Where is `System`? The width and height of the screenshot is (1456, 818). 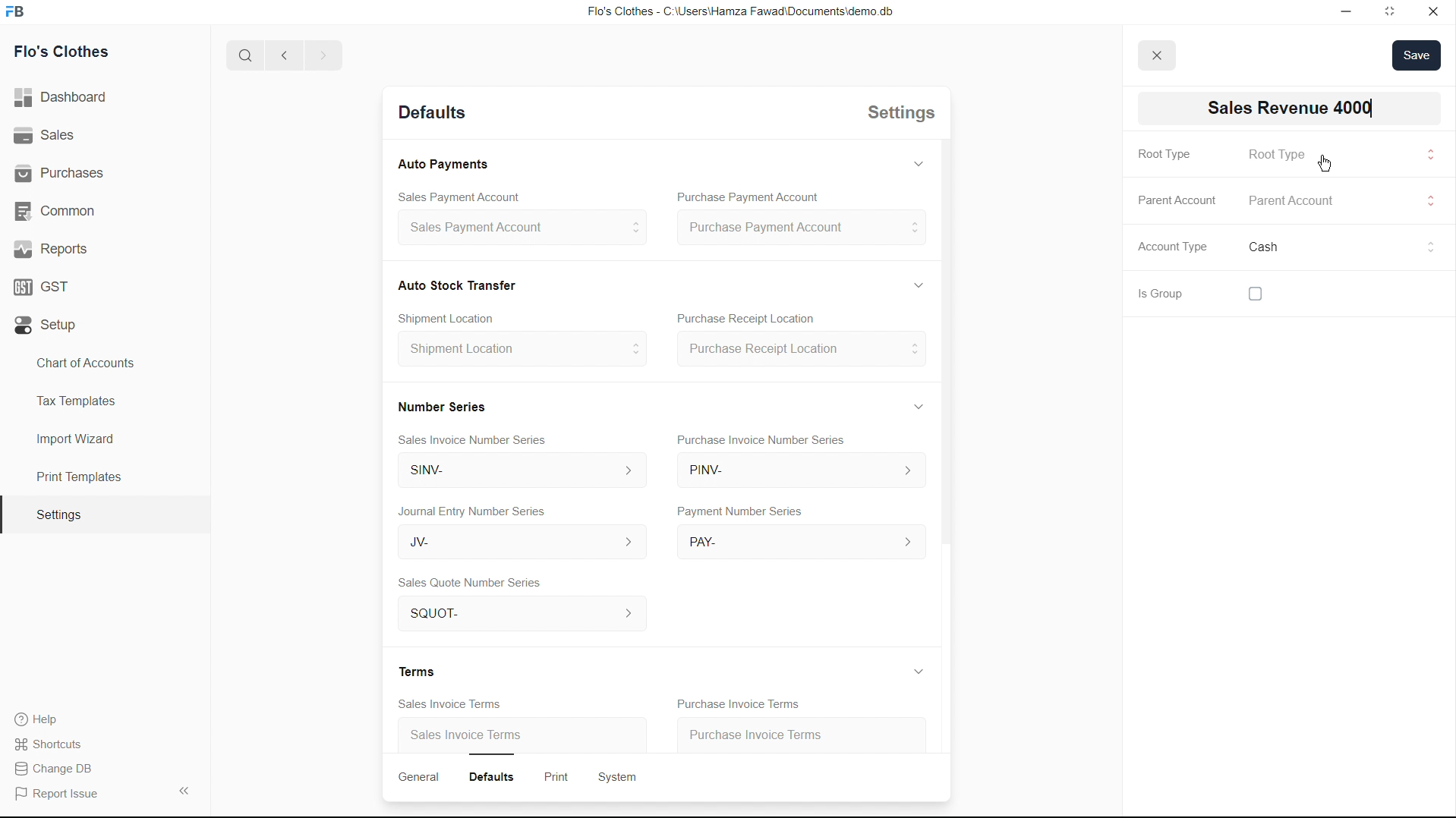
System is located at coordinates (622, 776).